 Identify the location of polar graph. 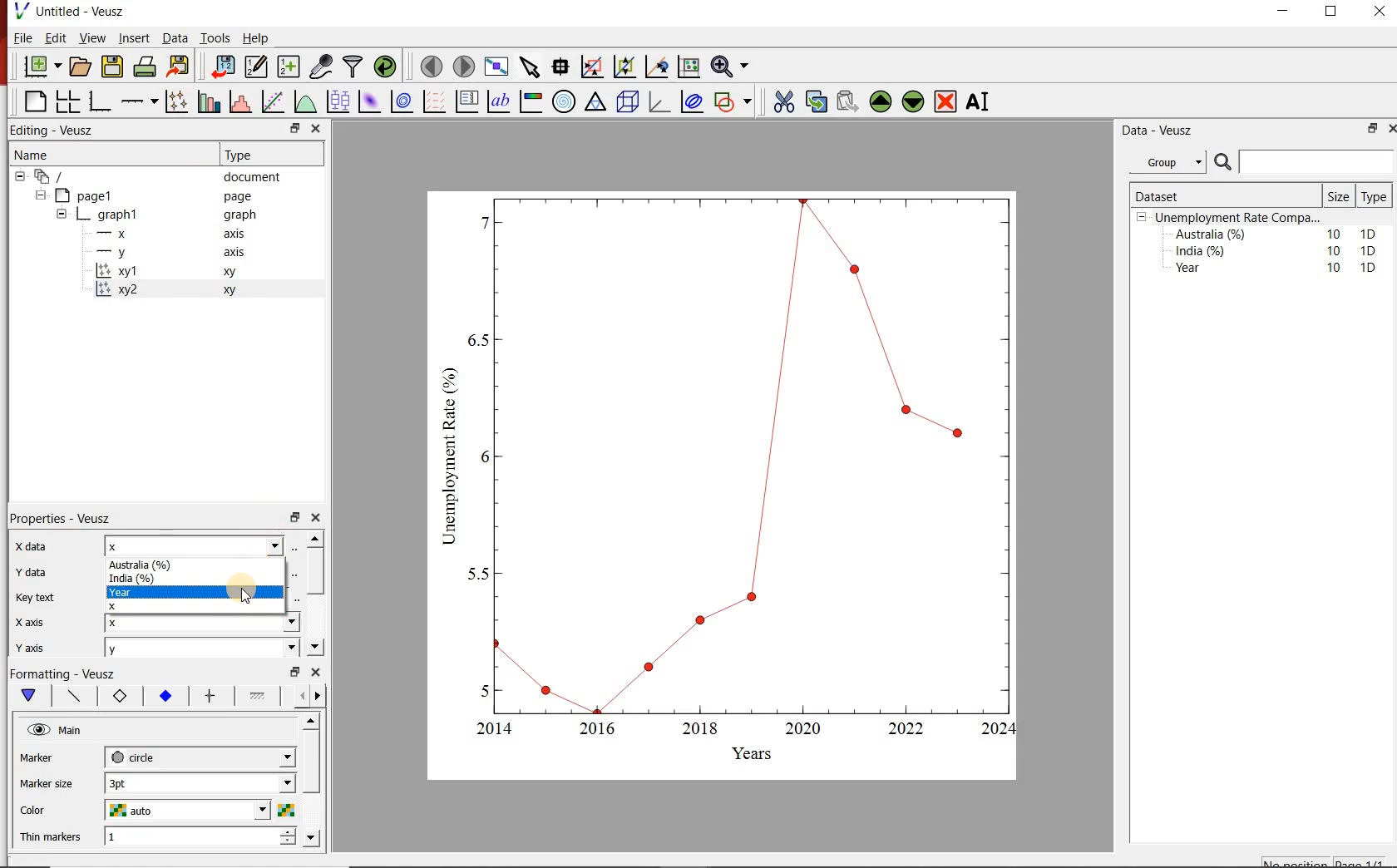
(565, 102).